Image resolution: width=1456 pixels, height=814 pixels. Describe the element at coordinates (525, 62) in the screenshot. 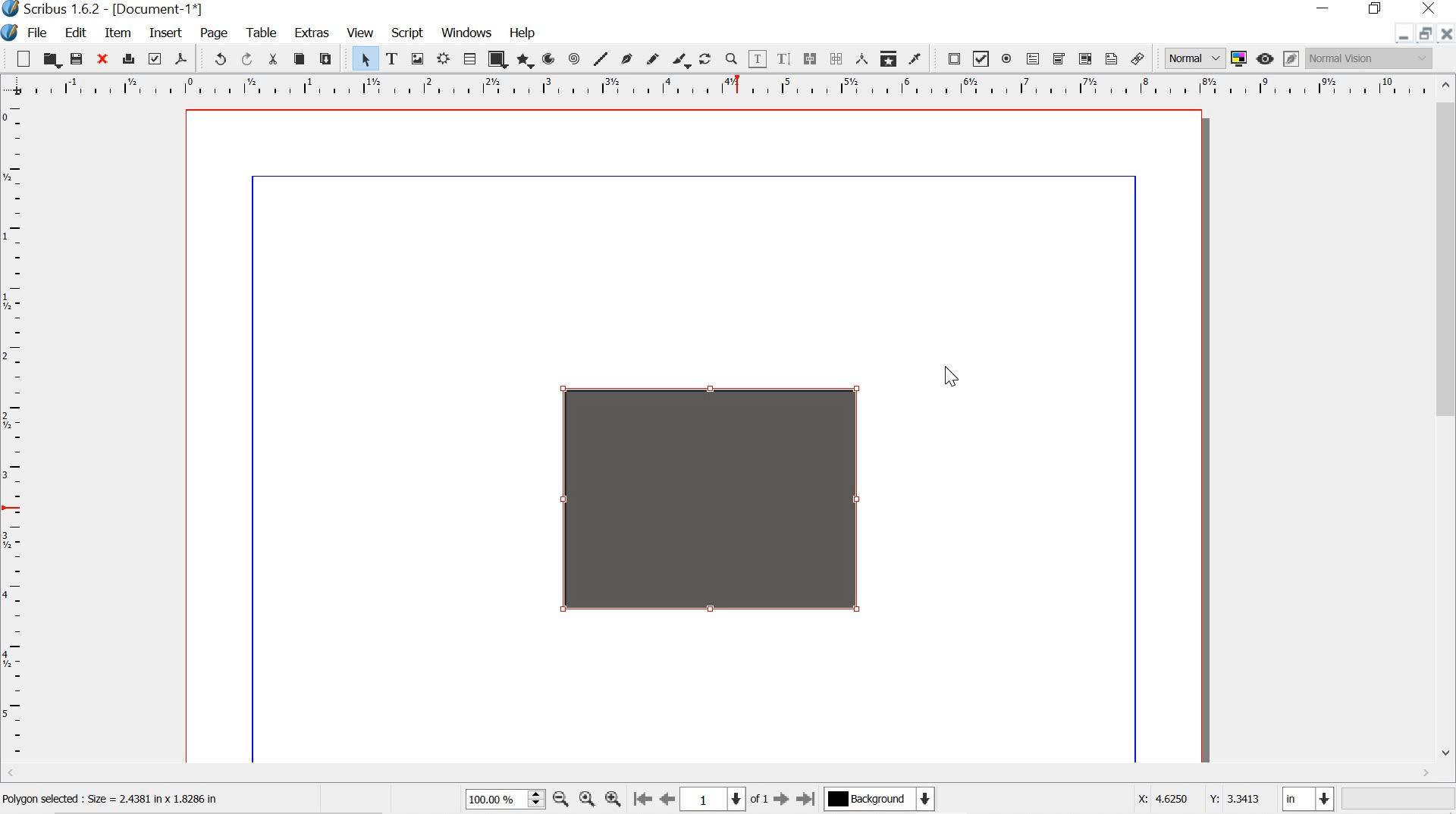

I see `polygon` at that location.